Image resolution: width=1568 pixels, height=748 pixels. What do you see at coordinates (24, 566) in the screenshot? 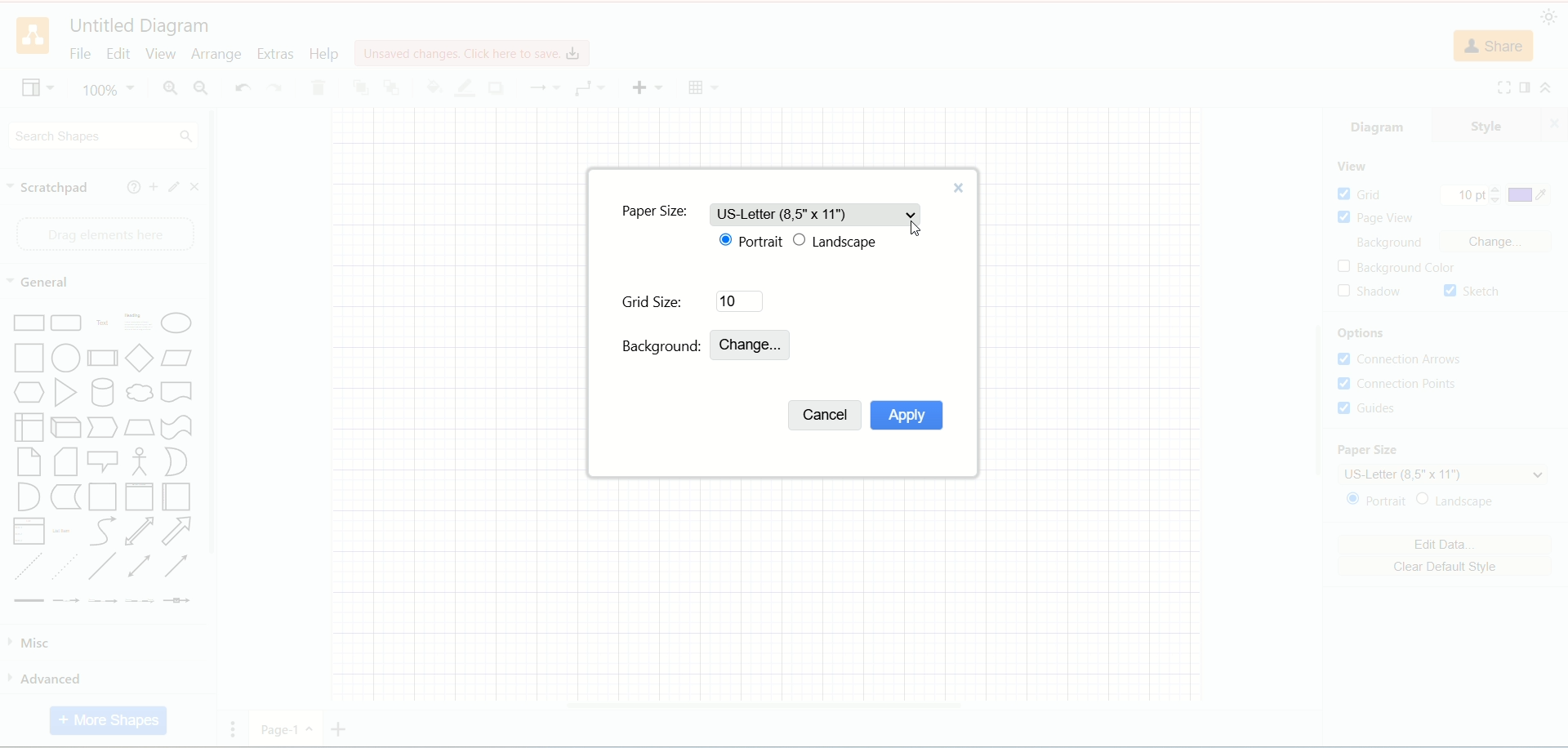
I see `Dashed Line` at bounding box center [24, 566].